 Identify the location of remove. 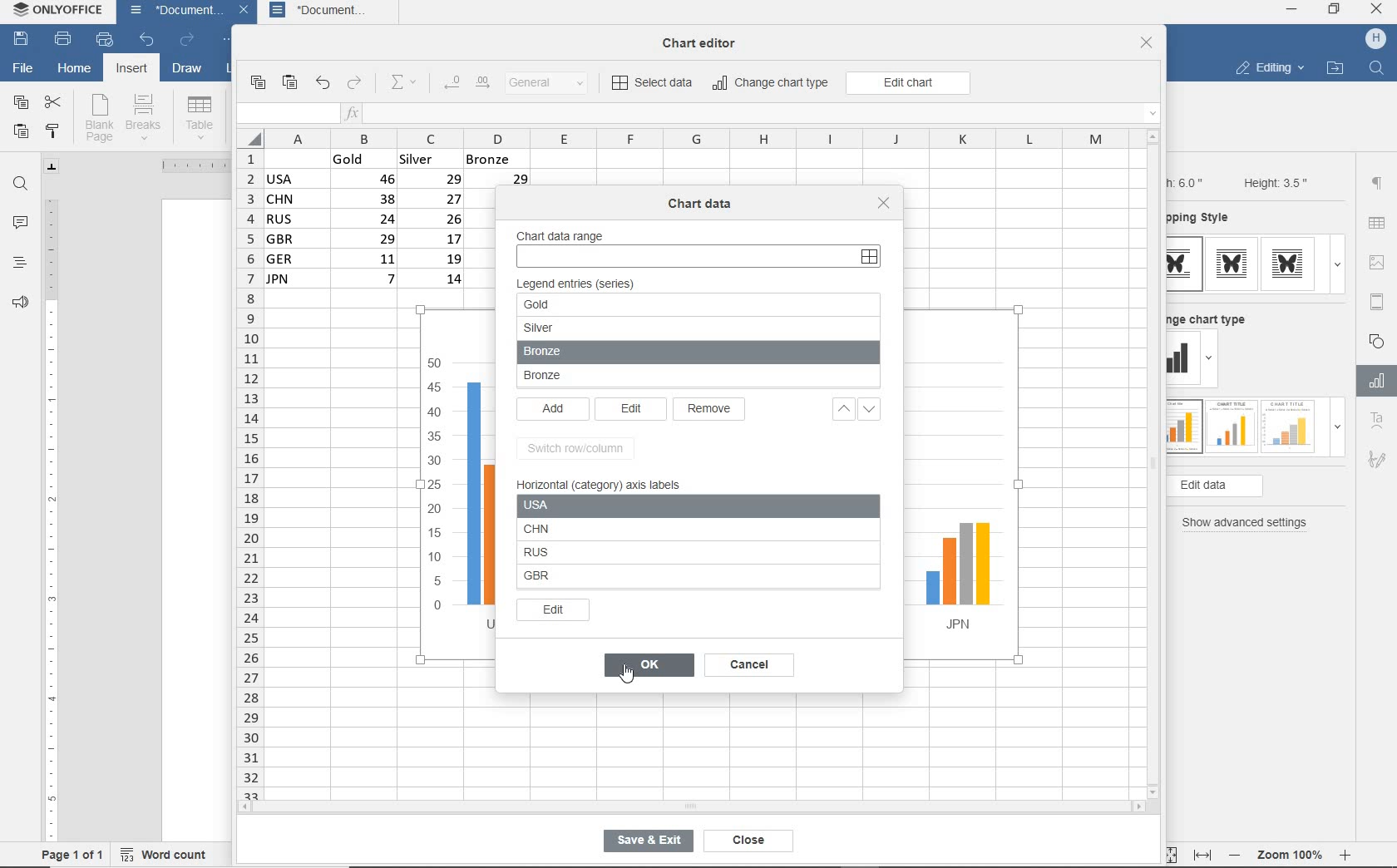
(712, 410).